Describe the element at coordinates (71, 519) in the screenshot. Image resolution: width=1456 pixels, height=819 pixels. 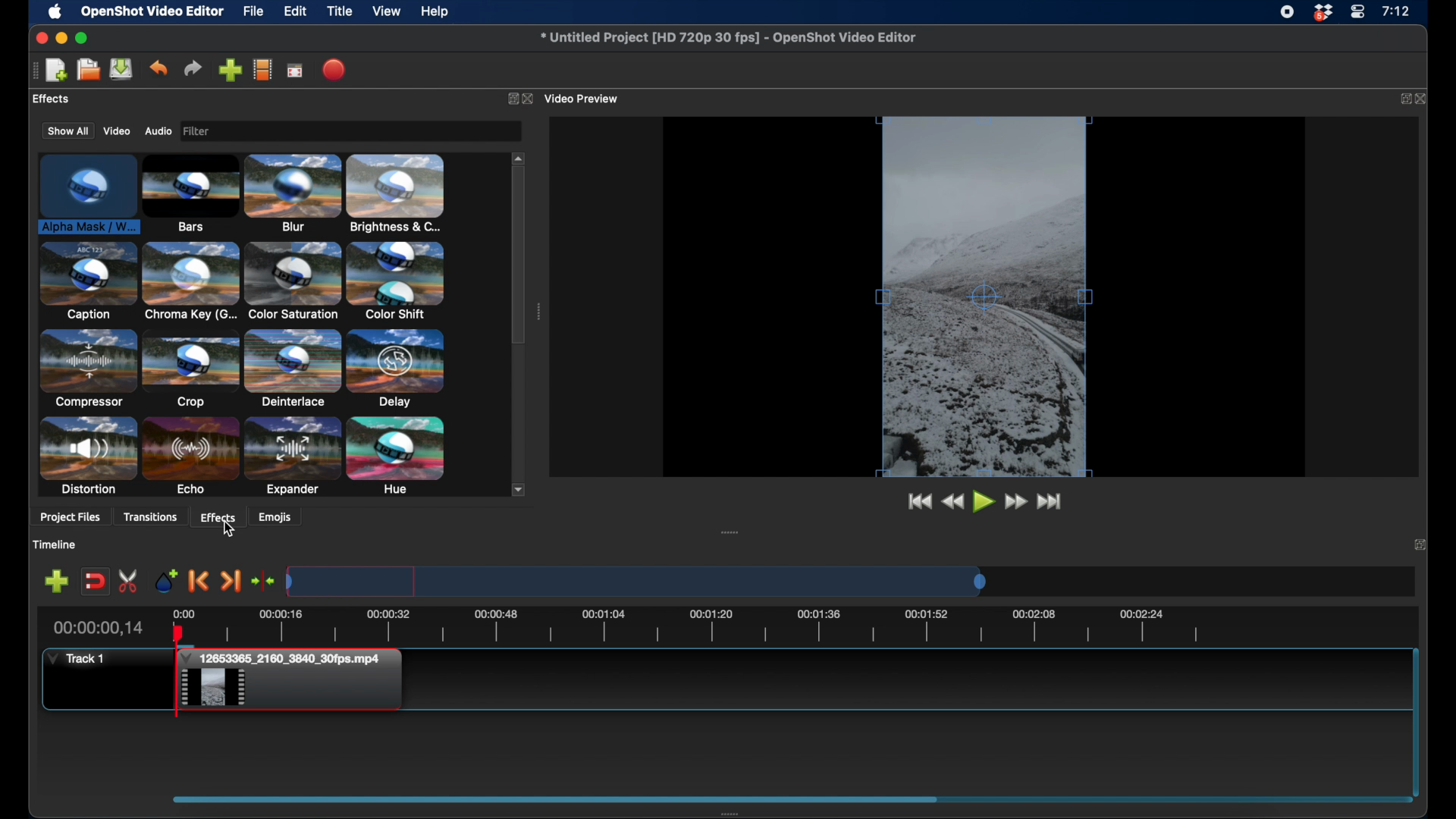
I see `project files` at that location.